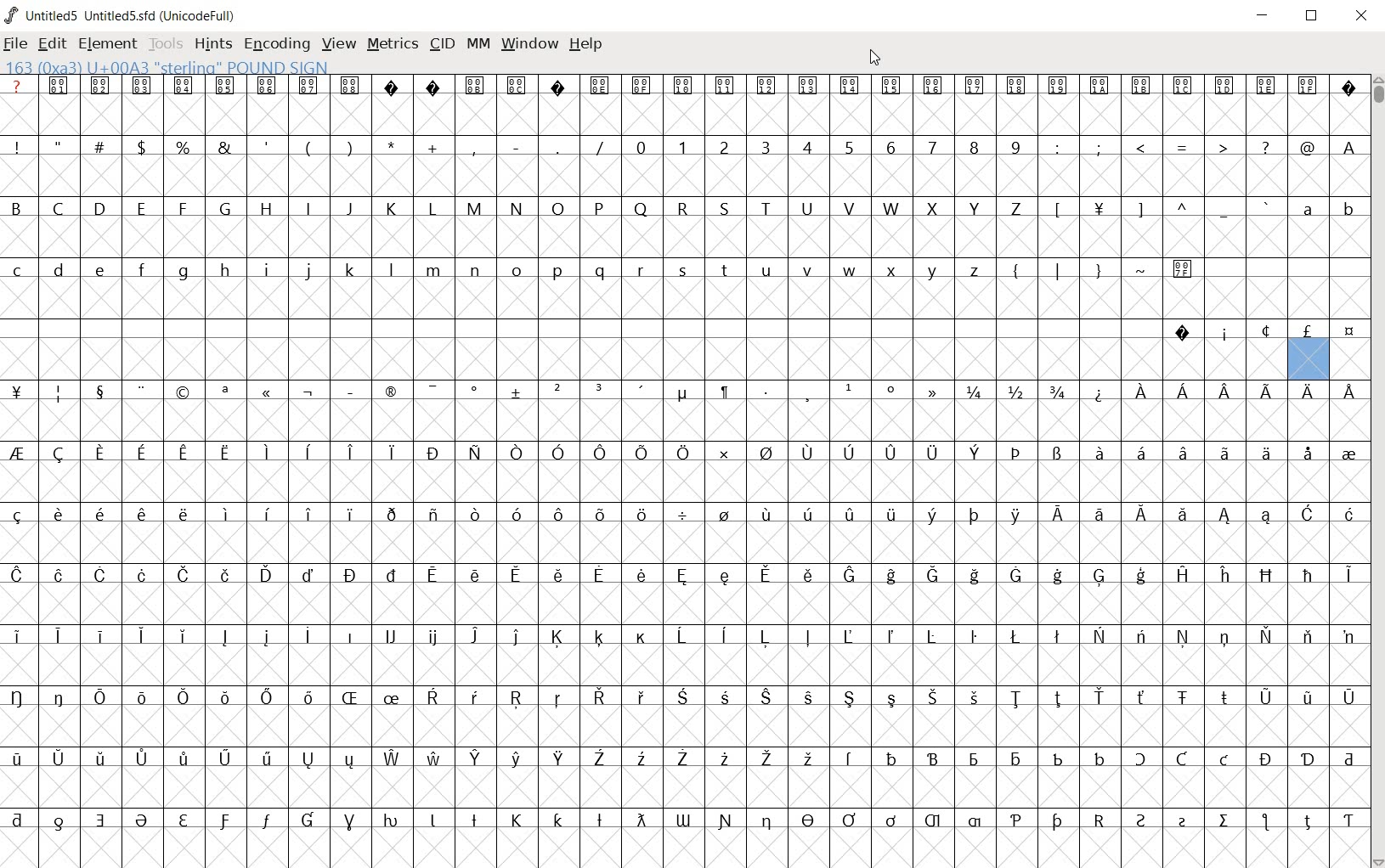 This screenshot has width=1385, height=868. I want to click on Symbol, so click(975, 759).